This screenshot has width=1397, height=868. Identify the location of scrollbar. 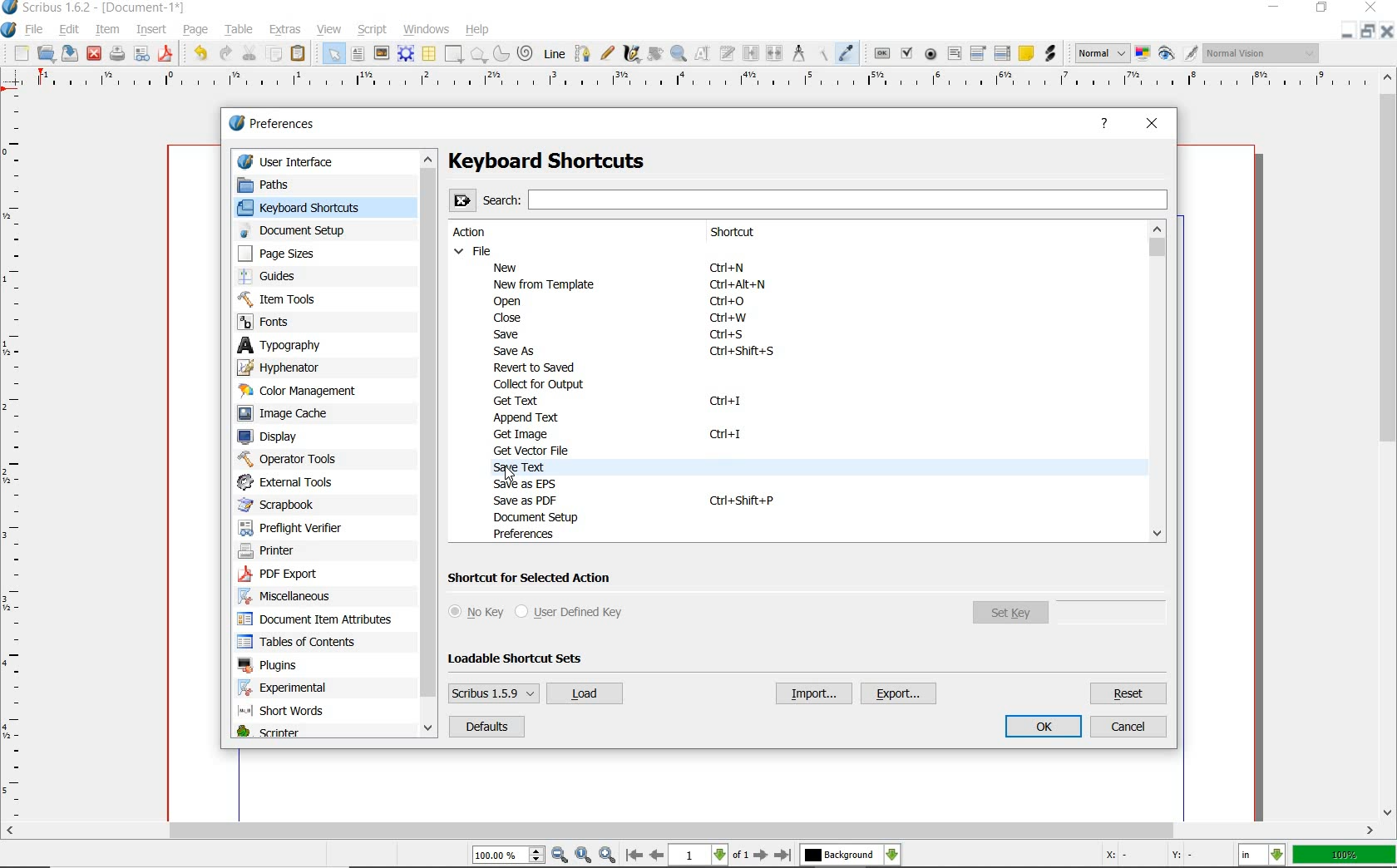
(431, 445).